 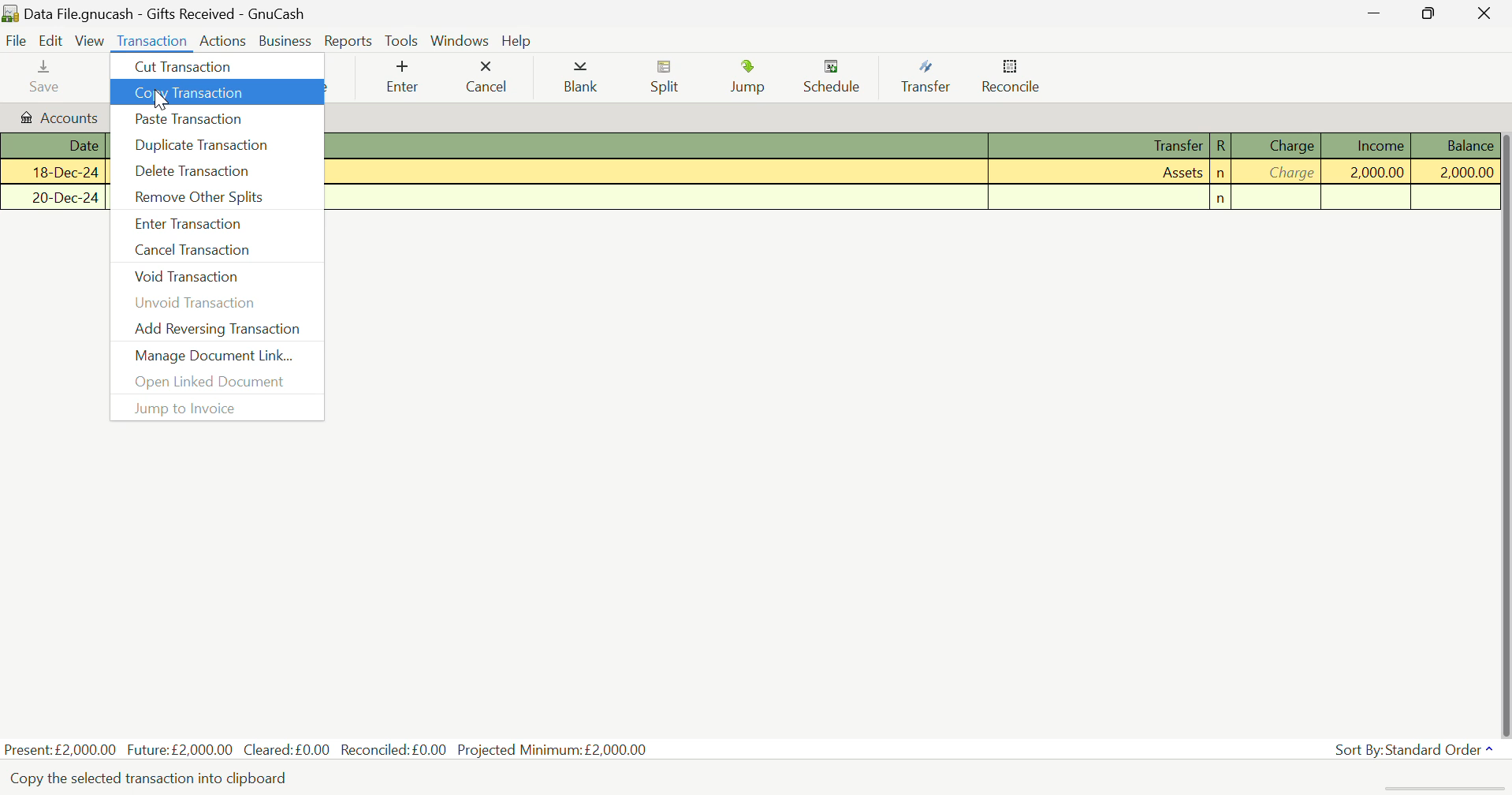 I want to click on Paste Transaction, so click(x=222, y=121).